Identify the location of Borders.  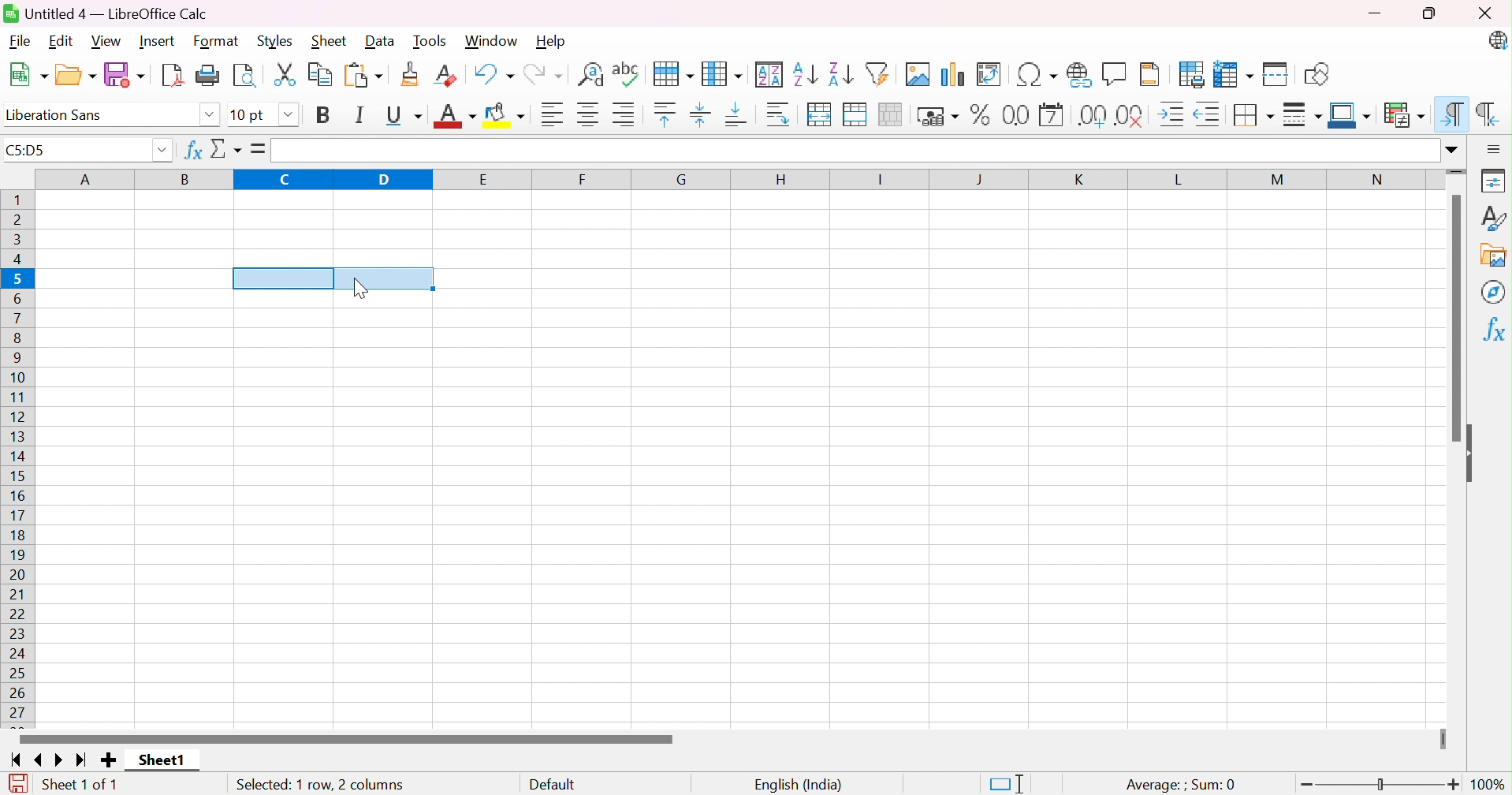
(1254, 114).